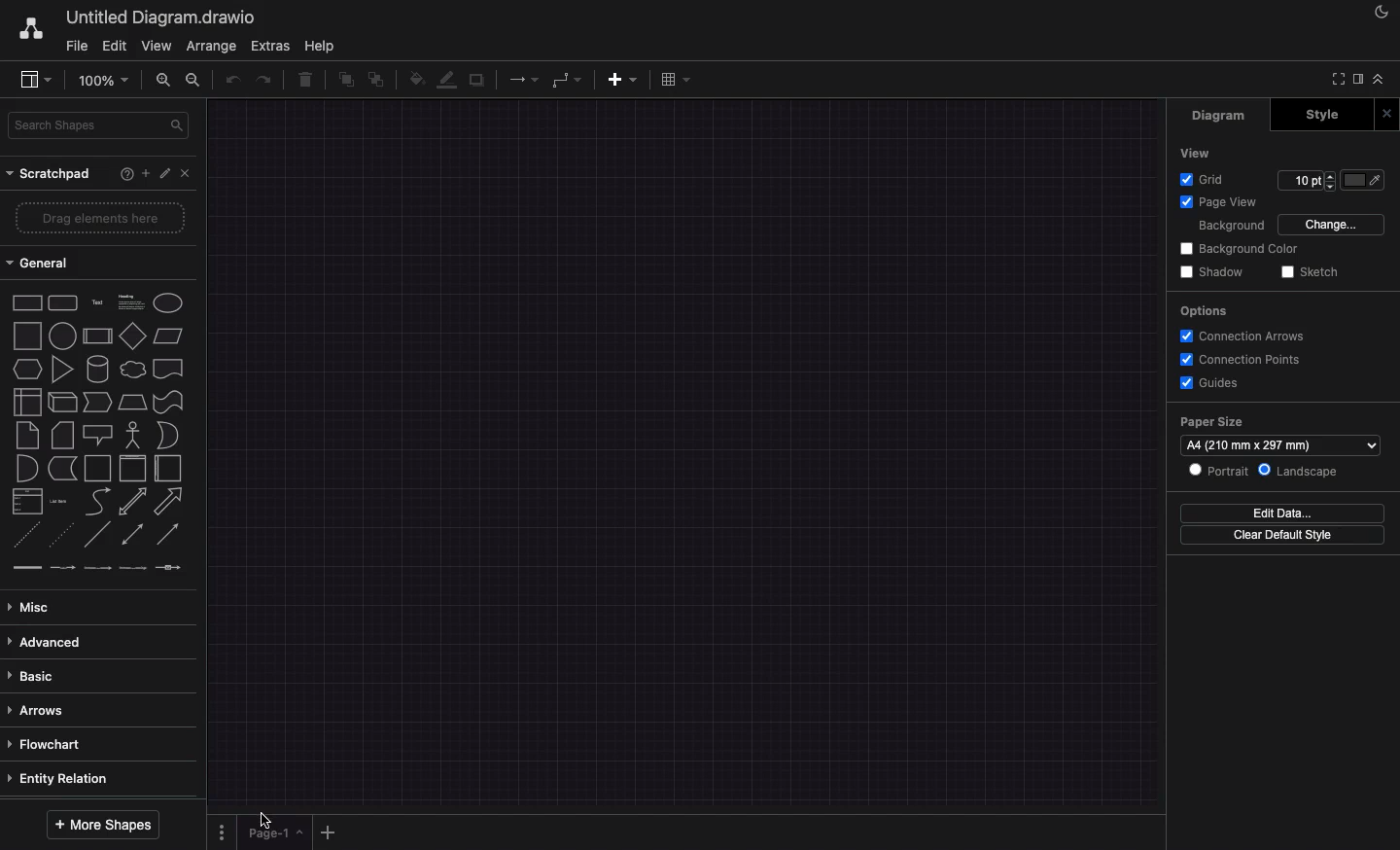 This screenshot has width=1400, height=850. Describe the element at coordinates (28, 370) in the screenshot. I see `hexagon` at that location.